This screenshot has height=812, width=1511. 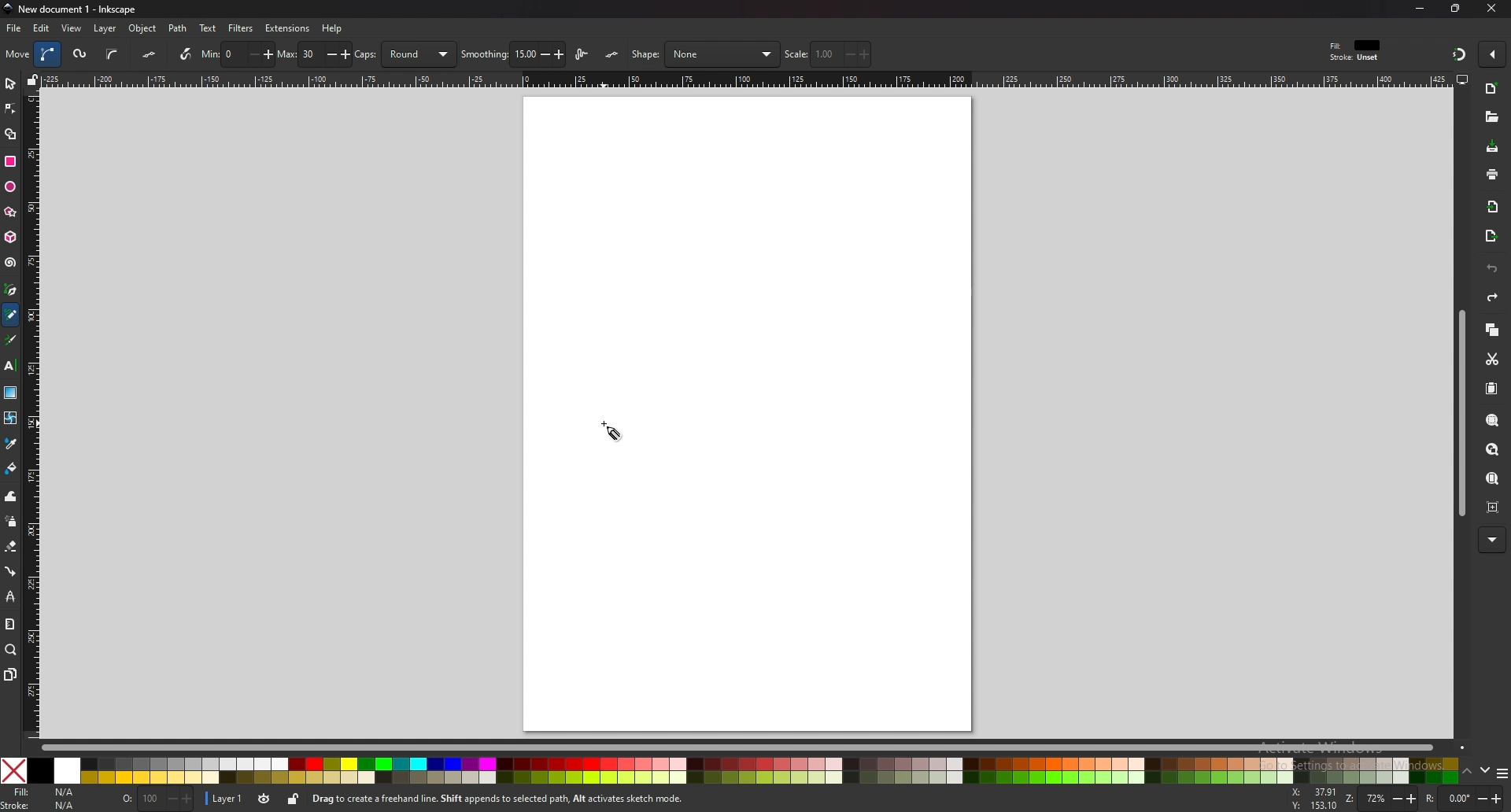 I want to click on b spline path, so click(x=112, y=54).